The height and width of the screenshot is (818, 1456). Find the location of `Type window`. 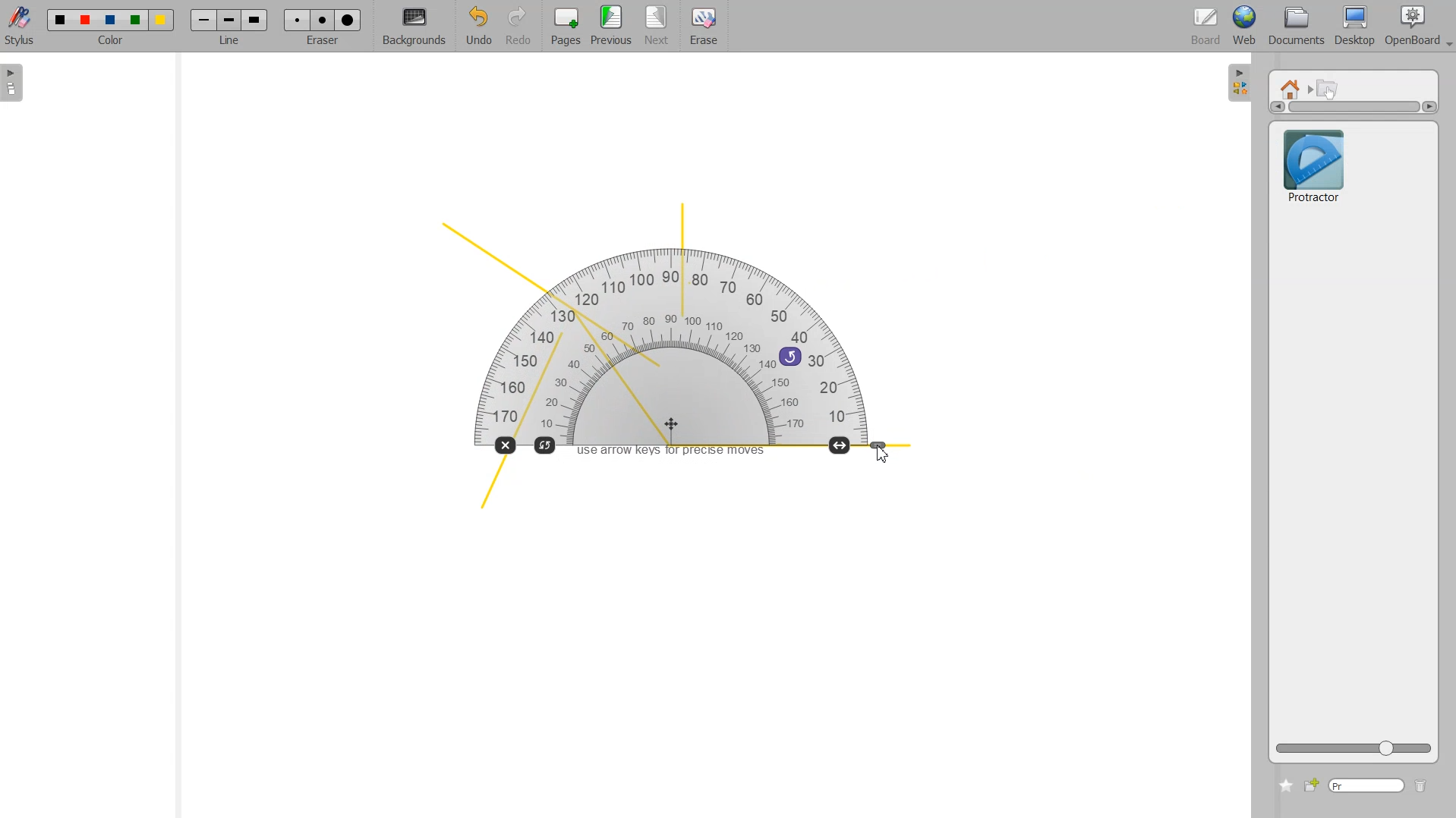

Type window is located at coordinates (1366, 786).